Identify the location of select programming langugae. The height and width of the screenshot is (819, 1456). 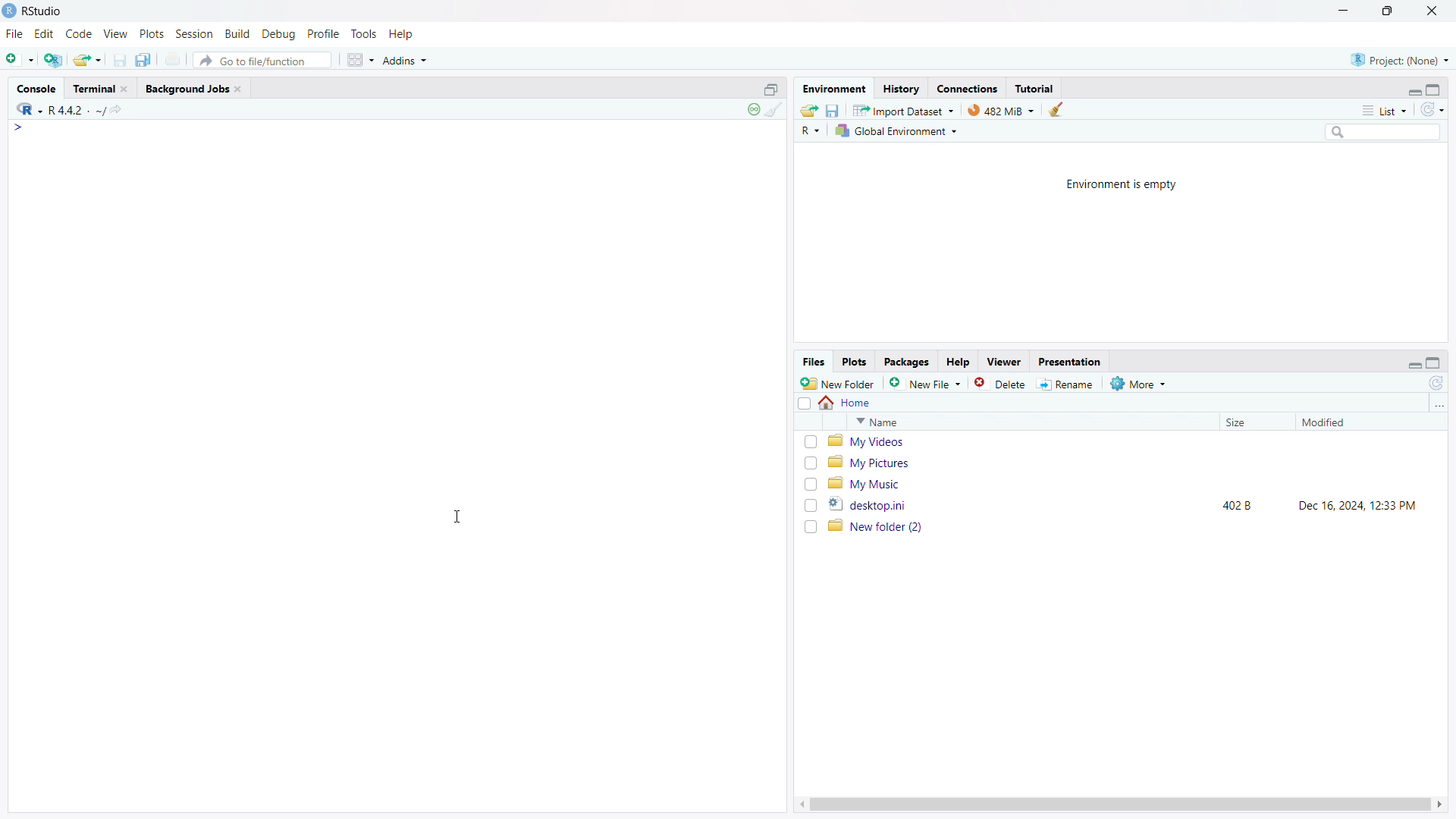
(811, 130).